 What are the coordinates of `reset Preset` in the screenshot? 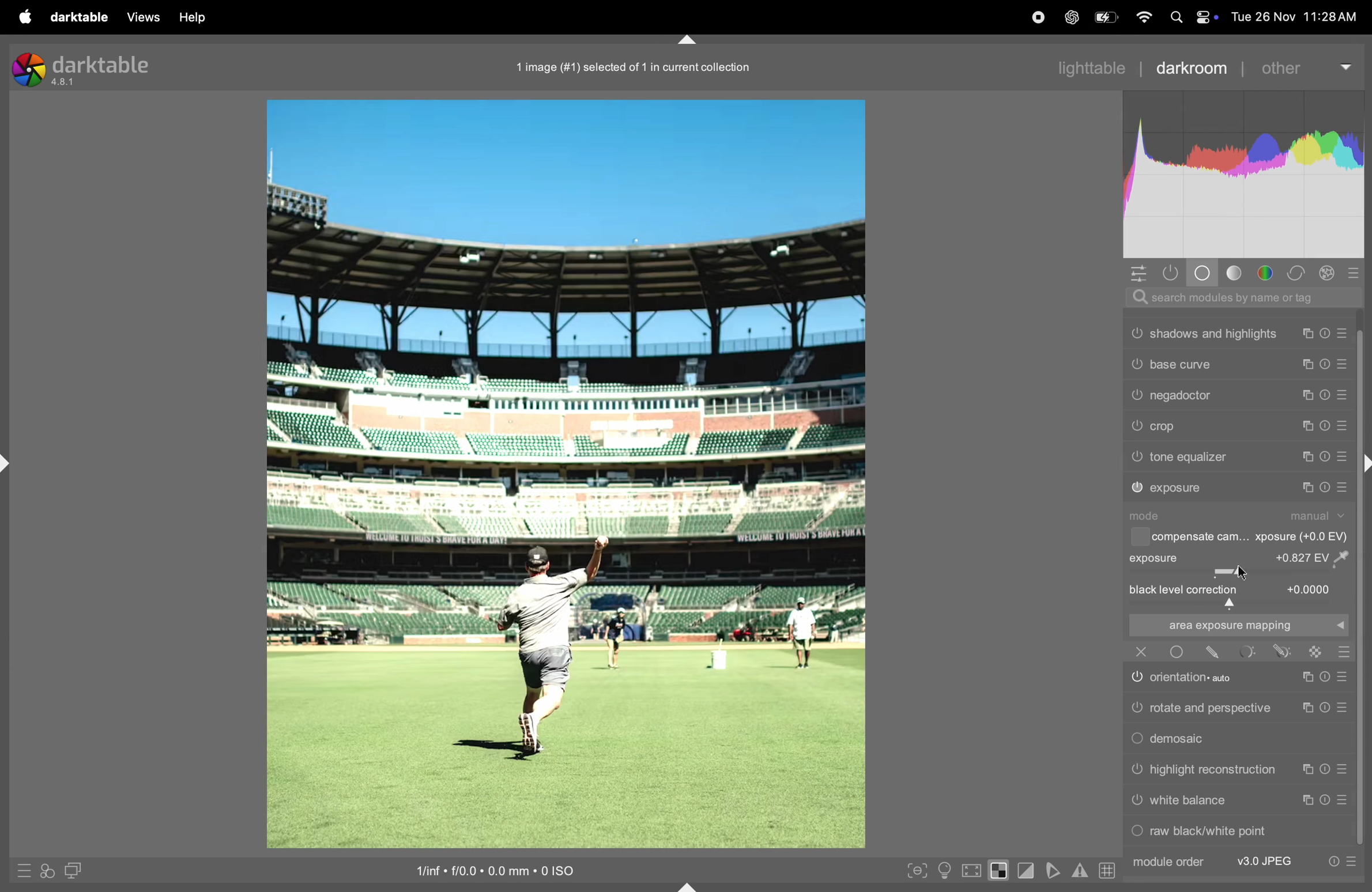 It's located at (1324, 677).